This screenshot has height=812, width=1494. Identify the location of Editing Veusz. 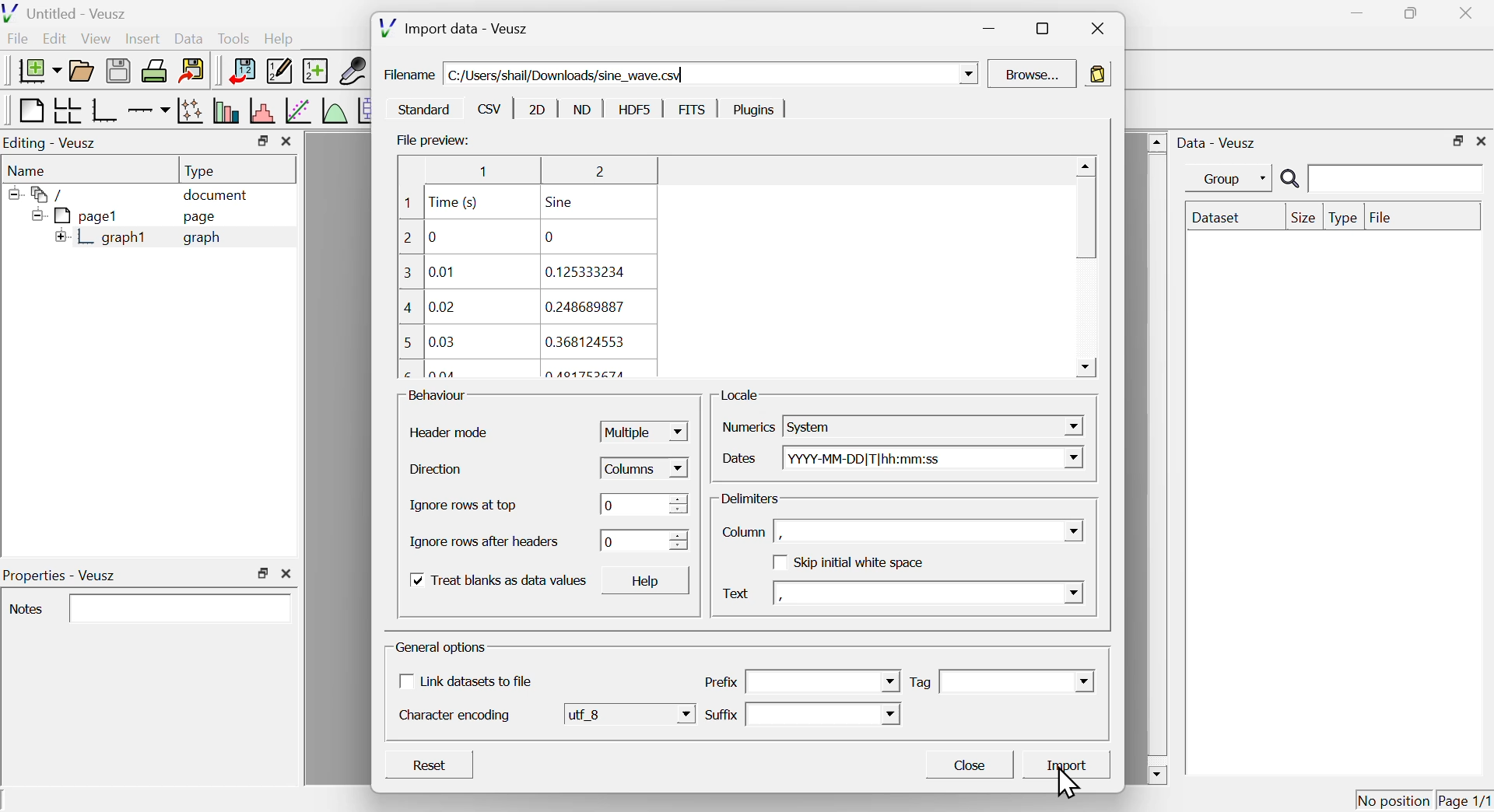
(53, 143).